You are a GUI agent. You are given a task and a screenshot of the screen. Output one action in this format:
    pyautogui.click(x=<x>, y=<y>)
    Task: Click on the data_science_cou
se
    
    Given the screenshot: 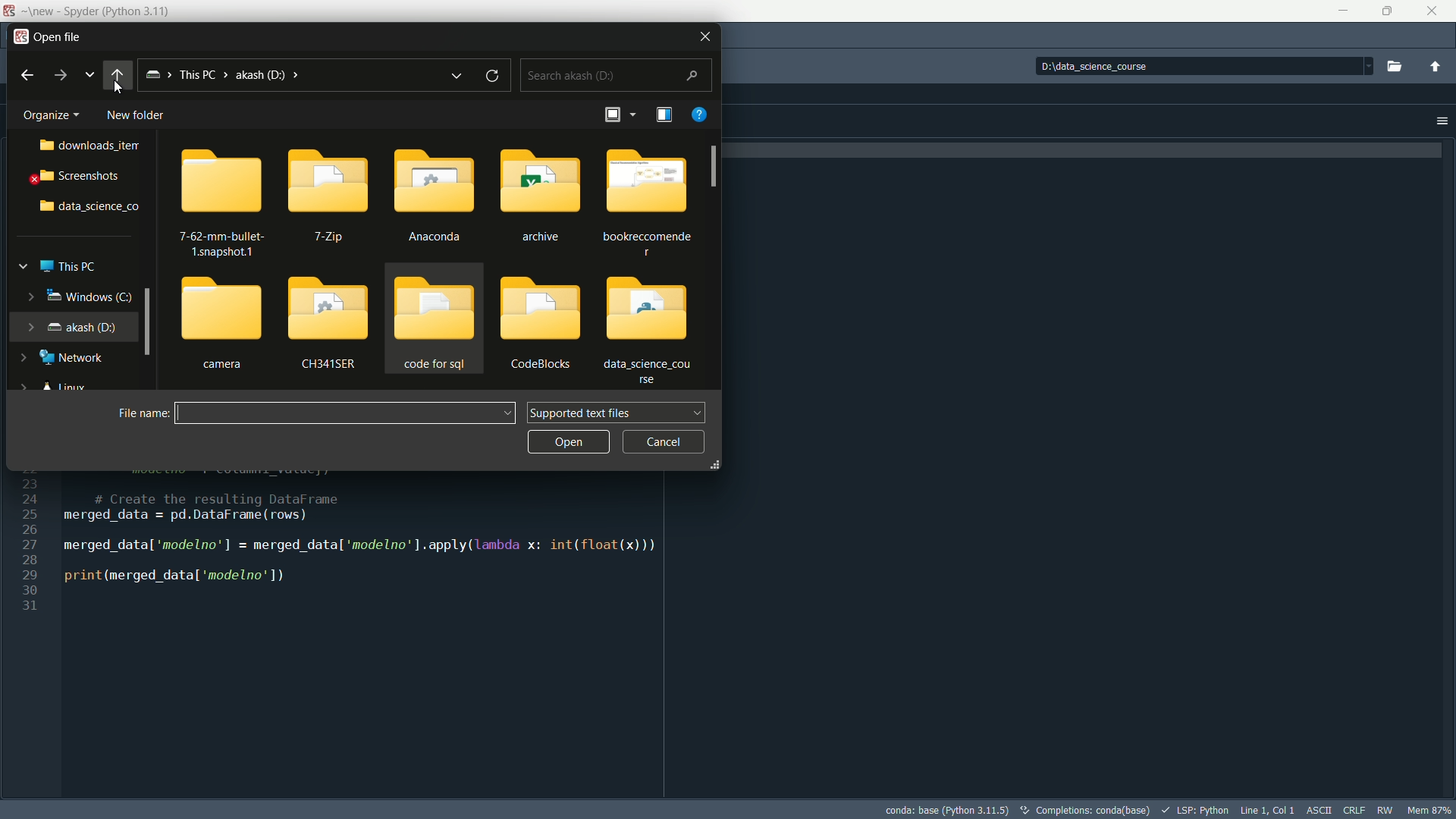 What is the action you would take?
    pyautogui.click(x=654, y=330)
    